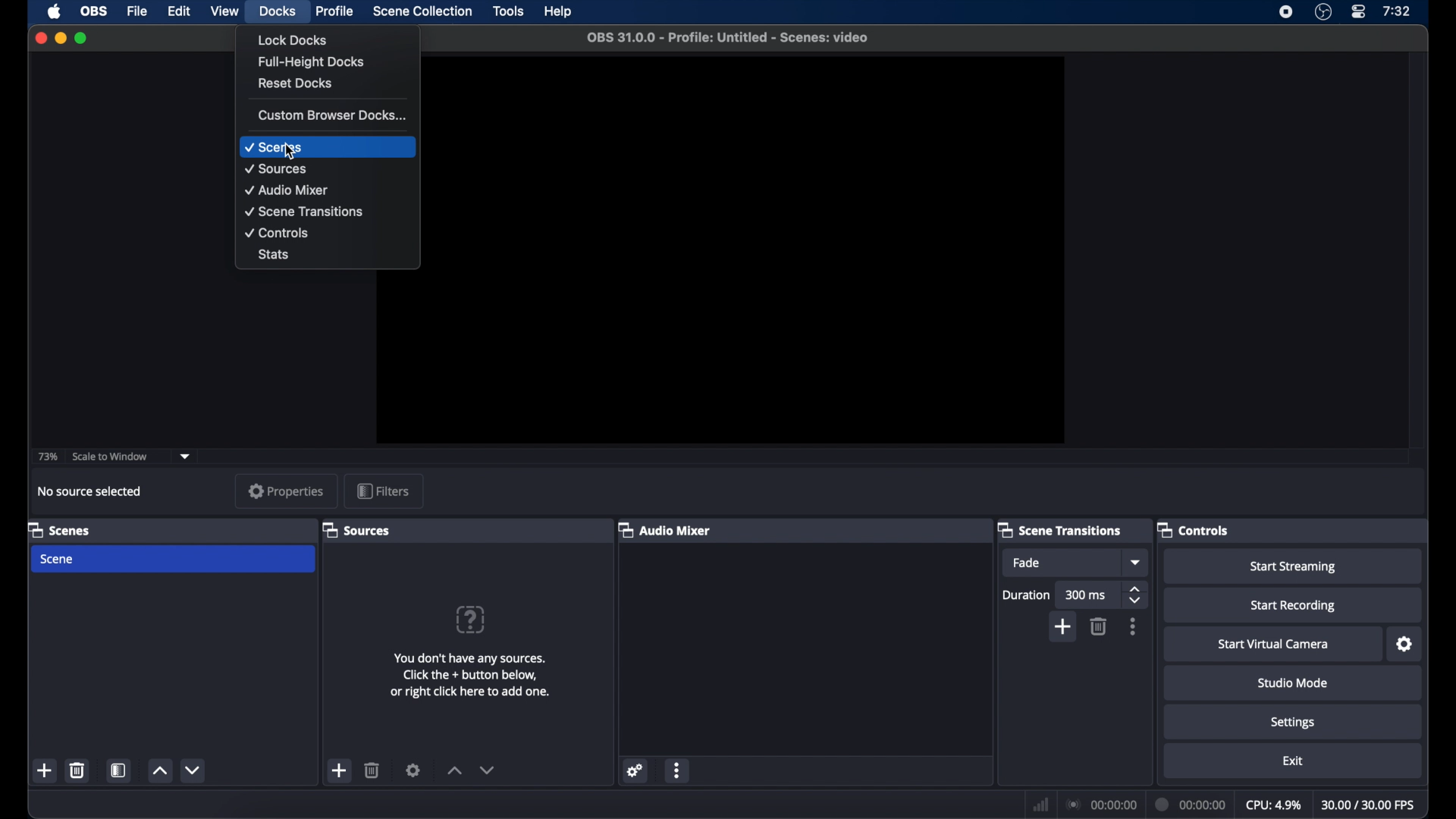  Describe the element at coordinates (333, 115) in the screenshot. I see `custom browser docks` at that location.